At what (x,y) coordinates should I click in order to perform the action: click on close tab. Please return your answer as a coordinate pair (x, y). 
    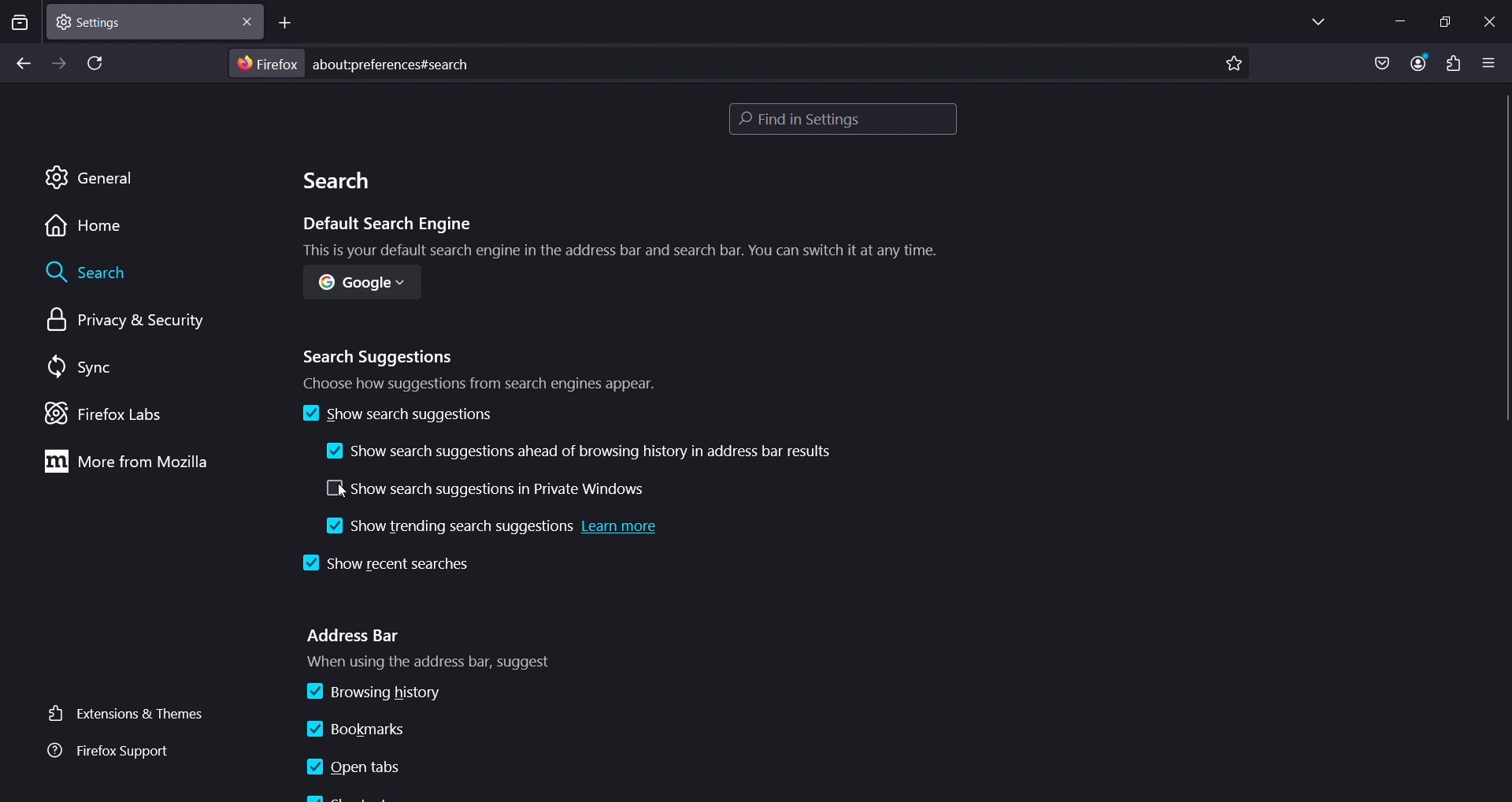
    Looking at the image, I should click on (143, 20).